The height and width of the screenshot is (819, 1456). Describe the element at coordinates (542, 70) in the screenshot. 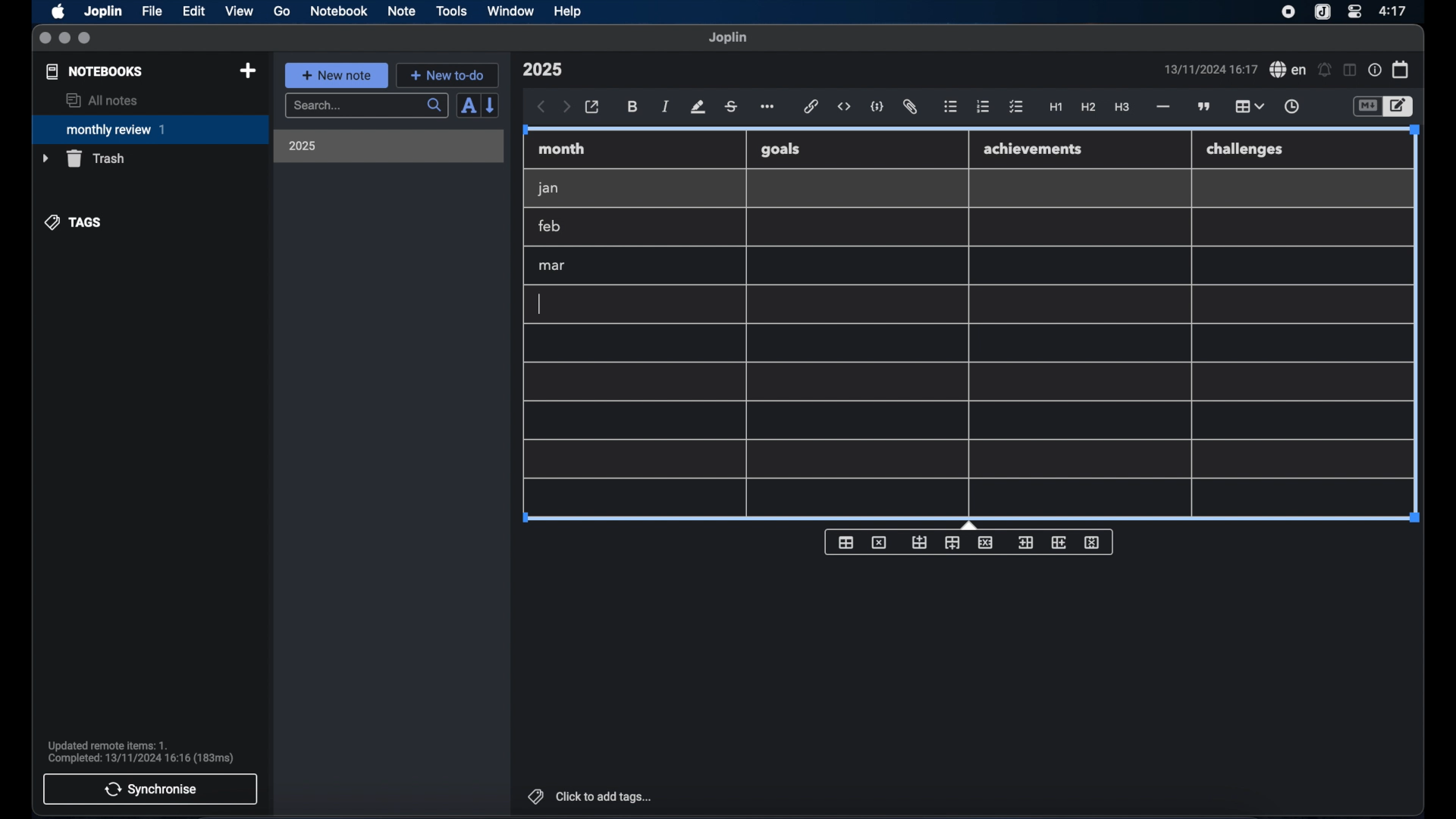

I see `note title` at that location.